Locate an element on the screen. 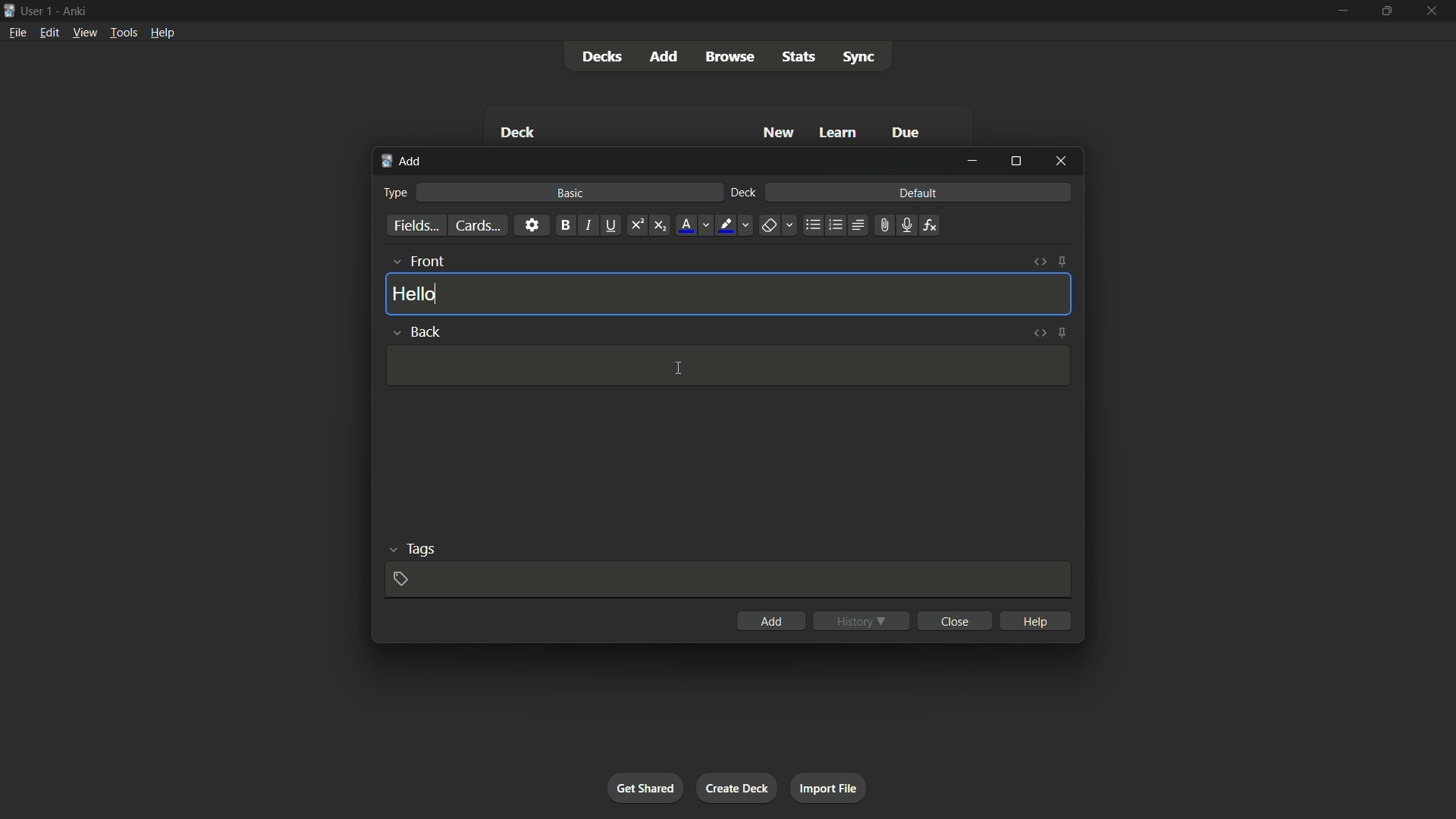  italic is located at coordinates (588, 225).